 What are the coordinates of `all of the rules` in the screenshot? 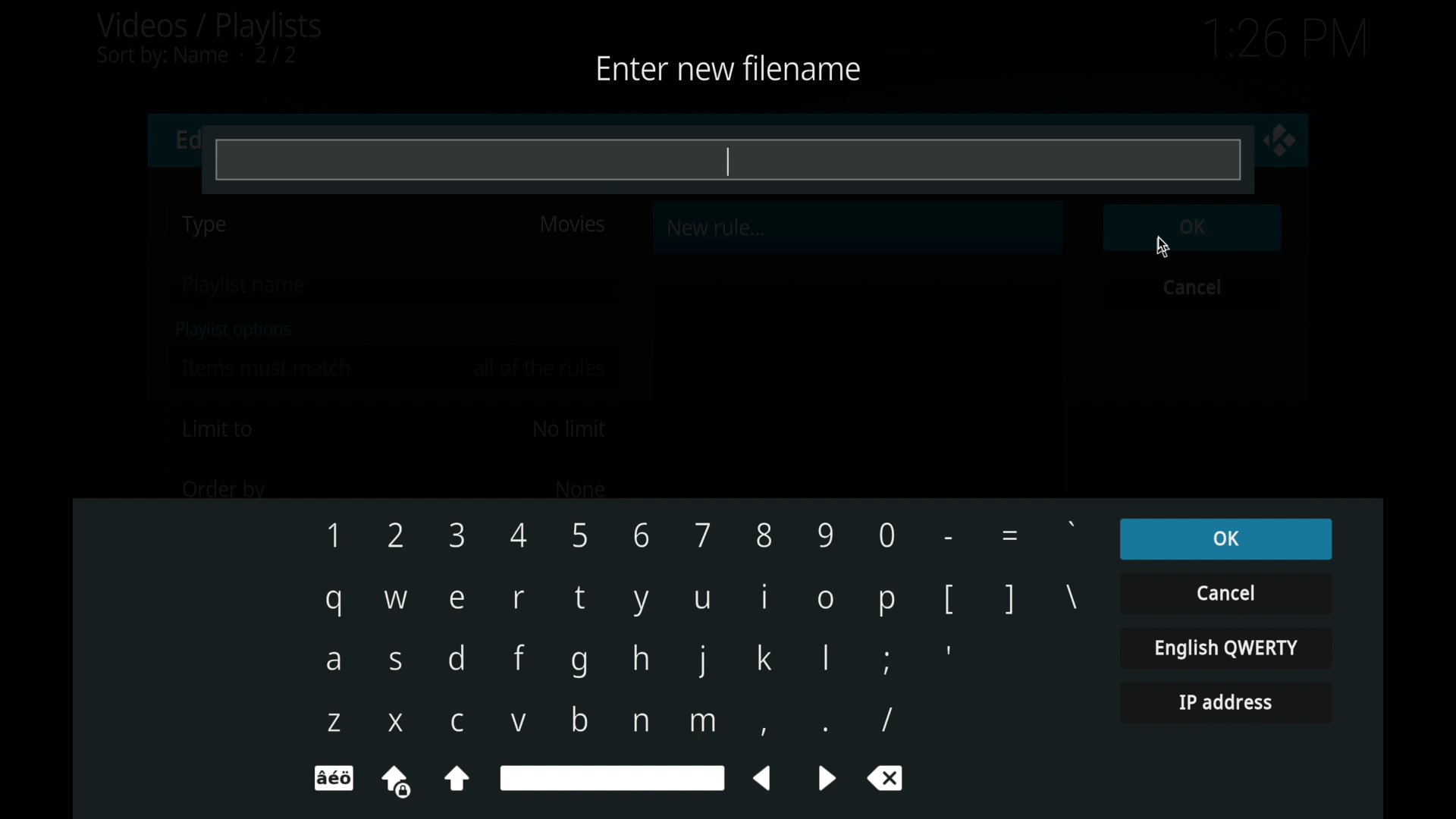 It's located at (541, 368).